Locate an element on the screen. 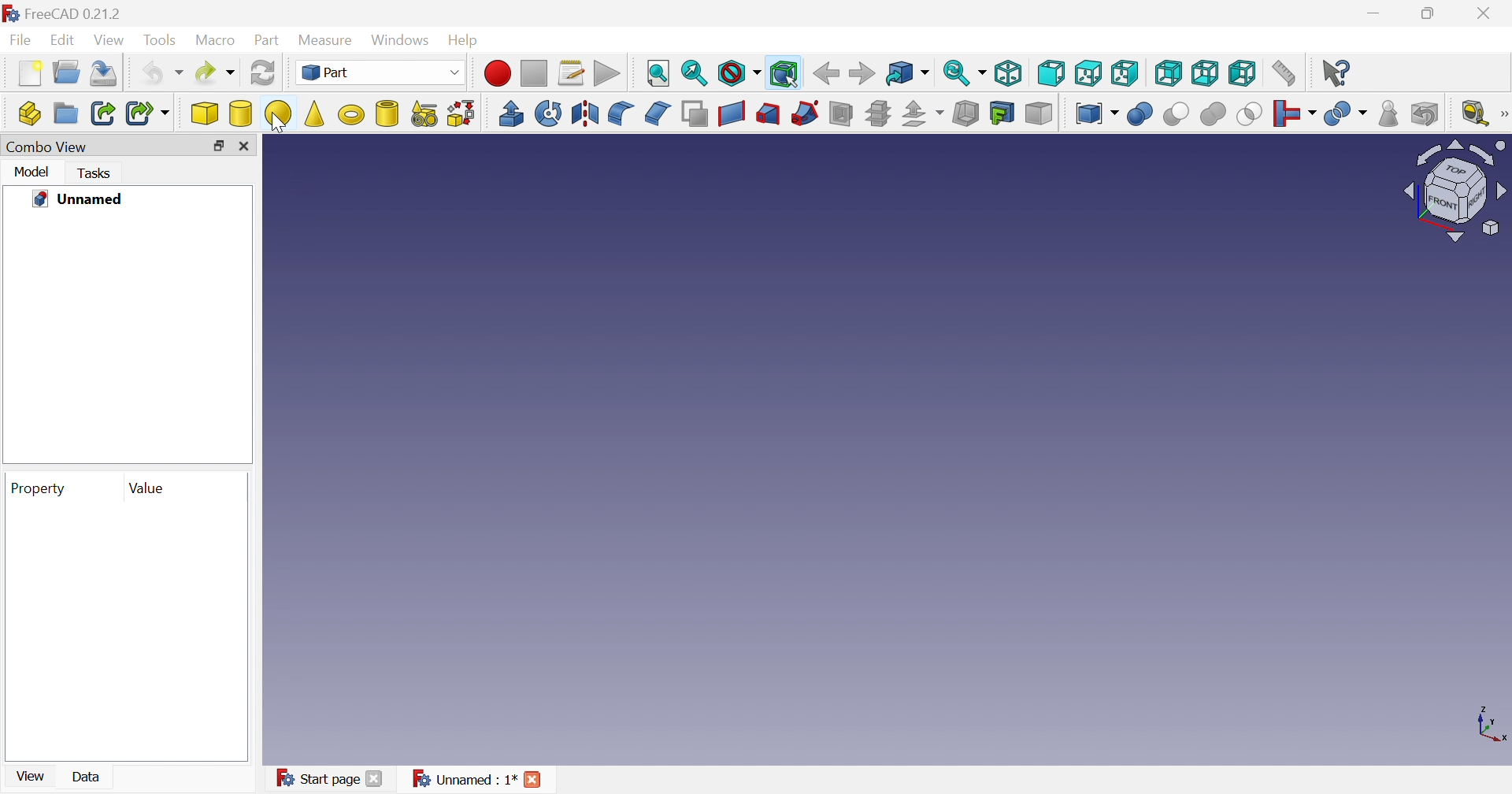 The height and width of the screenshot is (794, 1512). Property is located at coordinates (38, 490).